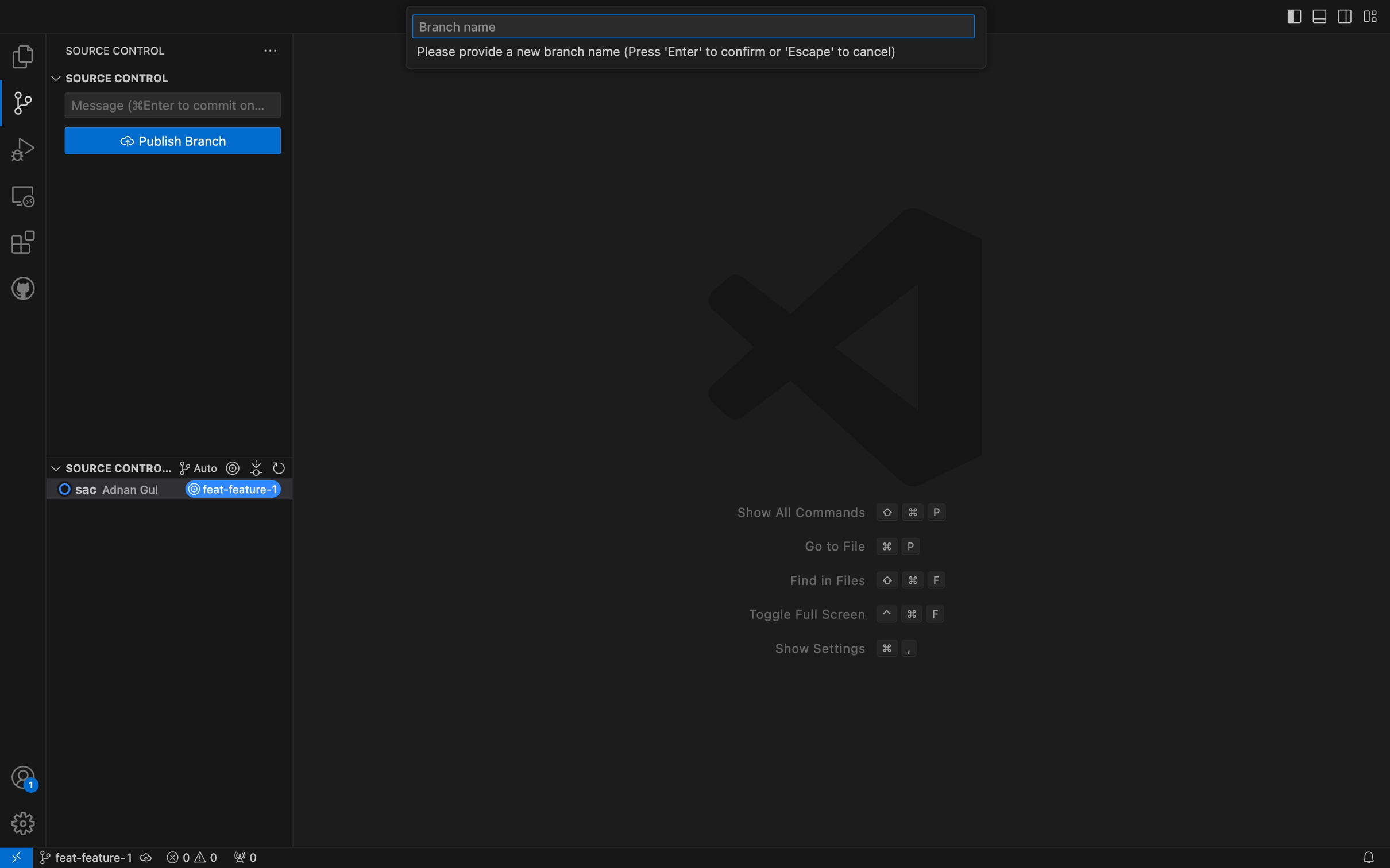  What do you see at coordinates (175, 141) in the screenshot?
I see `publish` at bounding box center [175, 141].